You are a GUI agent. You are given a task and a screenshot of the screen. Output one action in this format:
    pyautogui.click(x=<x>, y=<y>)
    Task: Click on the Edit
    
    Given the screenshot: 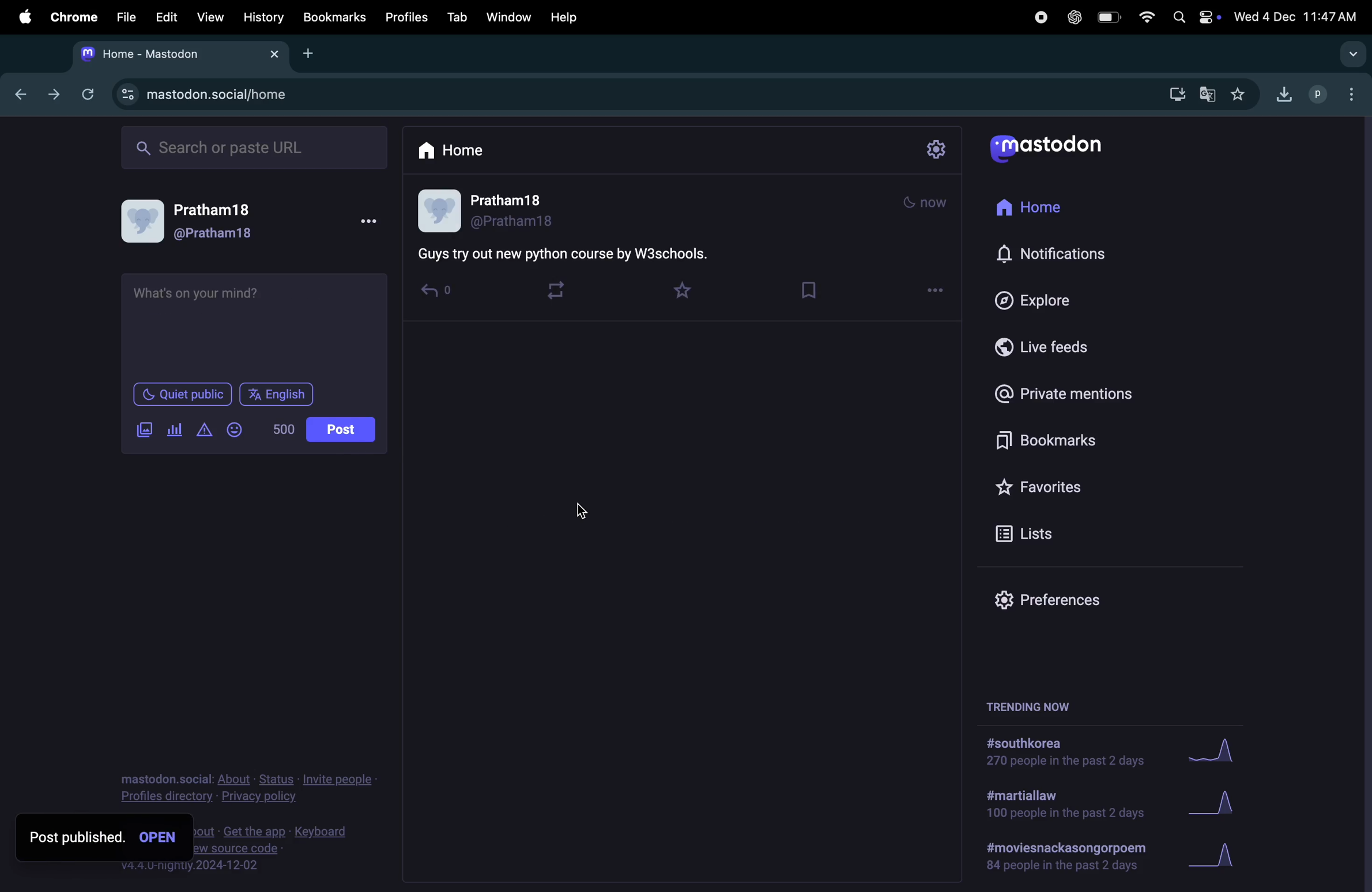 What is the action you would take?
    pyautogui.click(x=164, y=18)
    